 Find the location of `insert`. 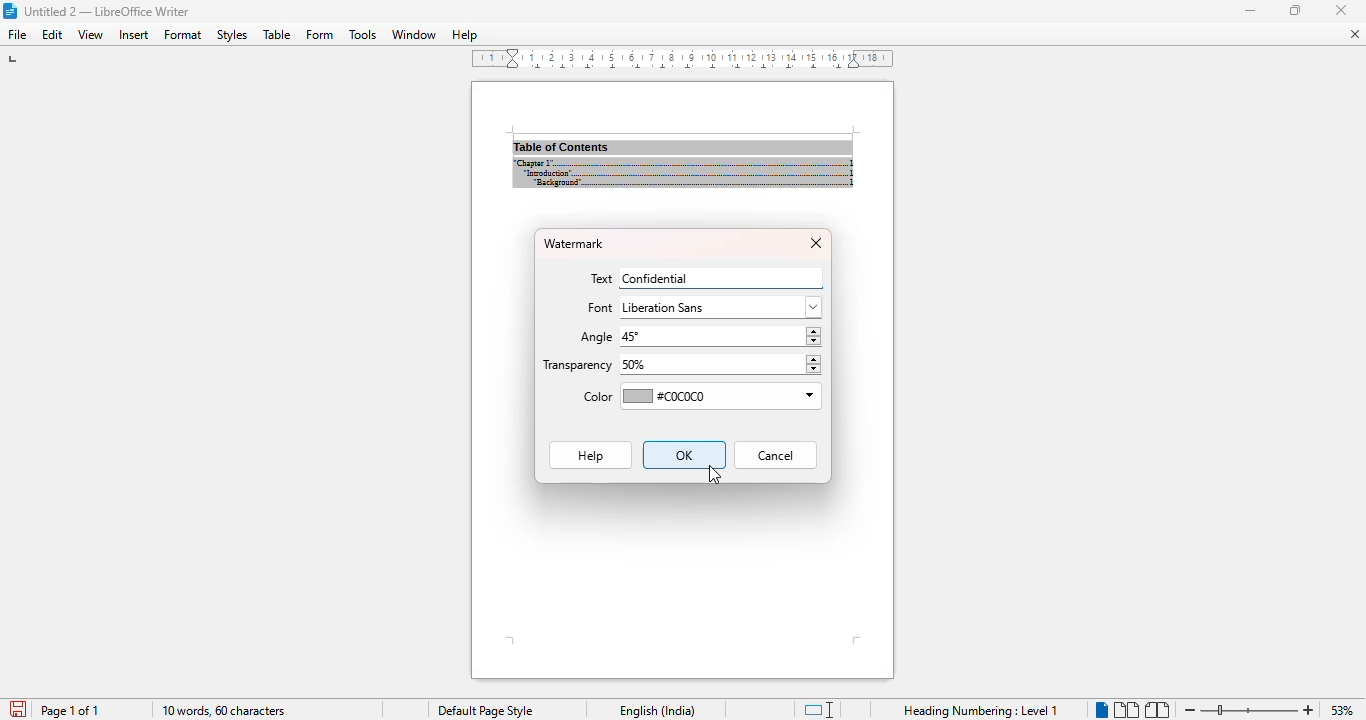

insert is located at coordinates (133, 34).